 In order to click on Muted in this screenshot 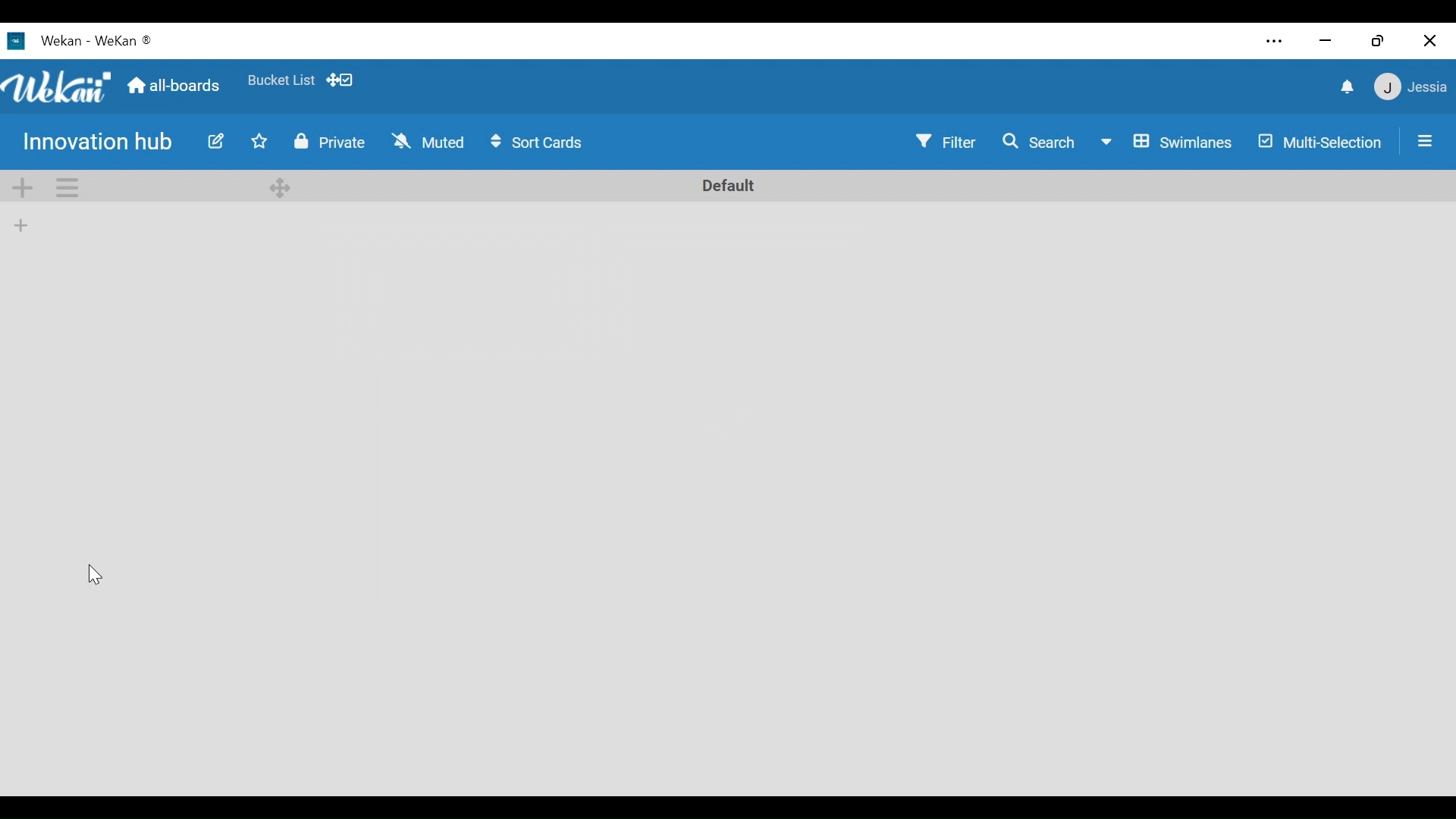, I will do `click(427, 140)`.